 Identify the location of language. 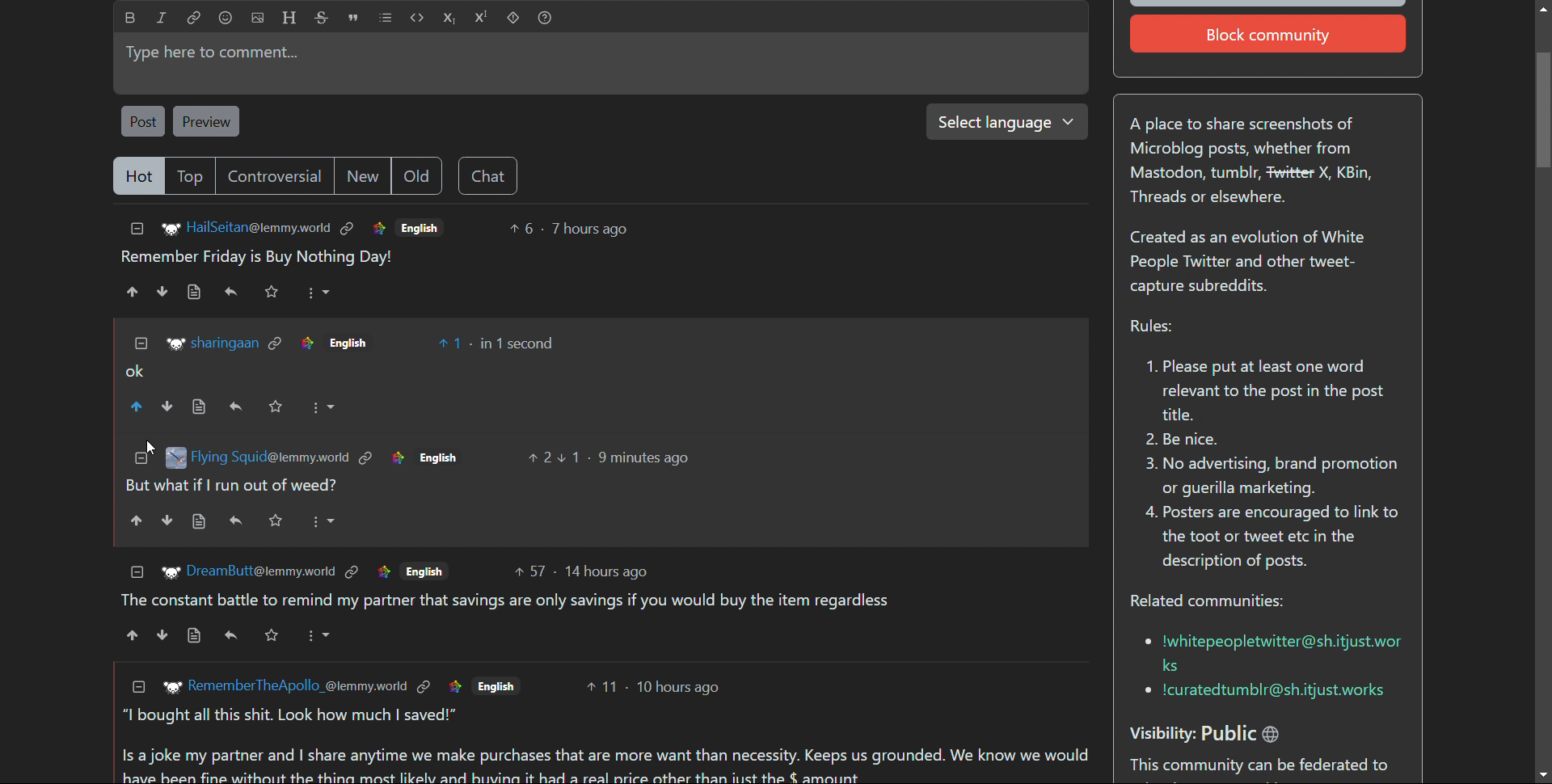
(439, 461).